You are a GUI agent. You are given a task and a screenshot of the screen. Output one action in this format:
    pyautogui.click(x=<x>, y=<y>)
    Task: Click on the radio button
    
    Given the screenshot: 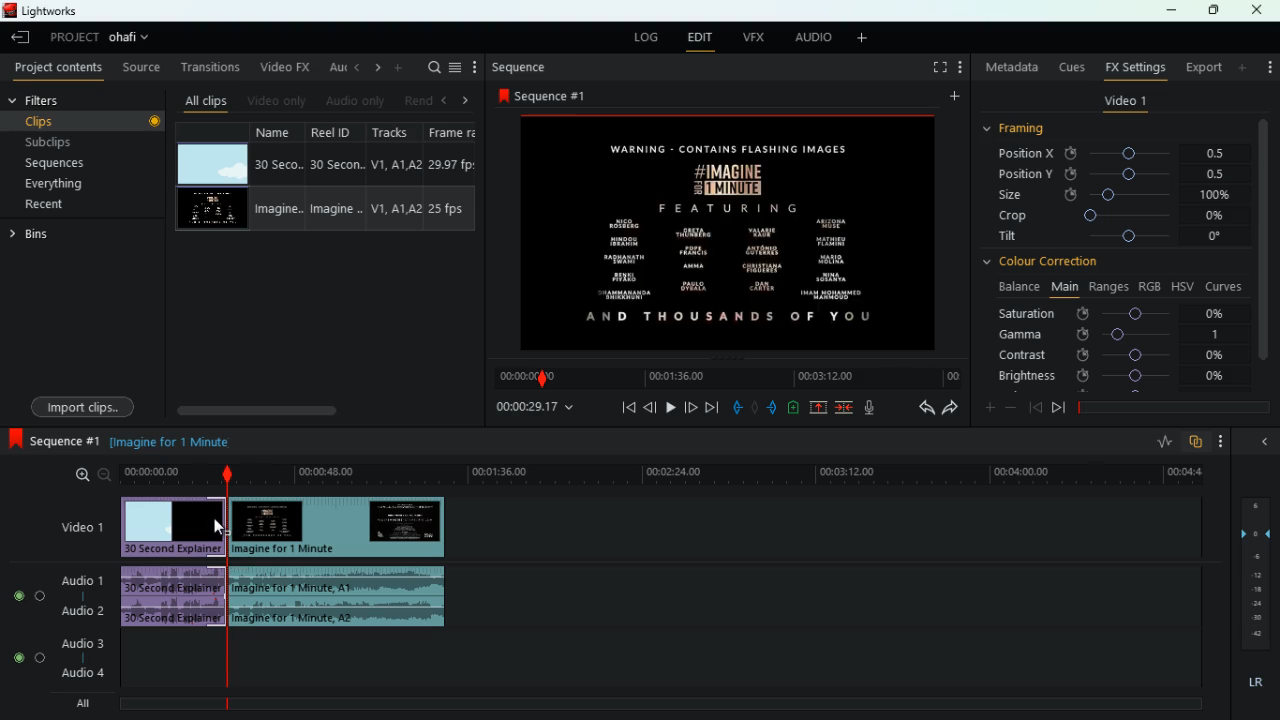 What is the action you would take?
    pyautogui.click(x=25, y=621)
    